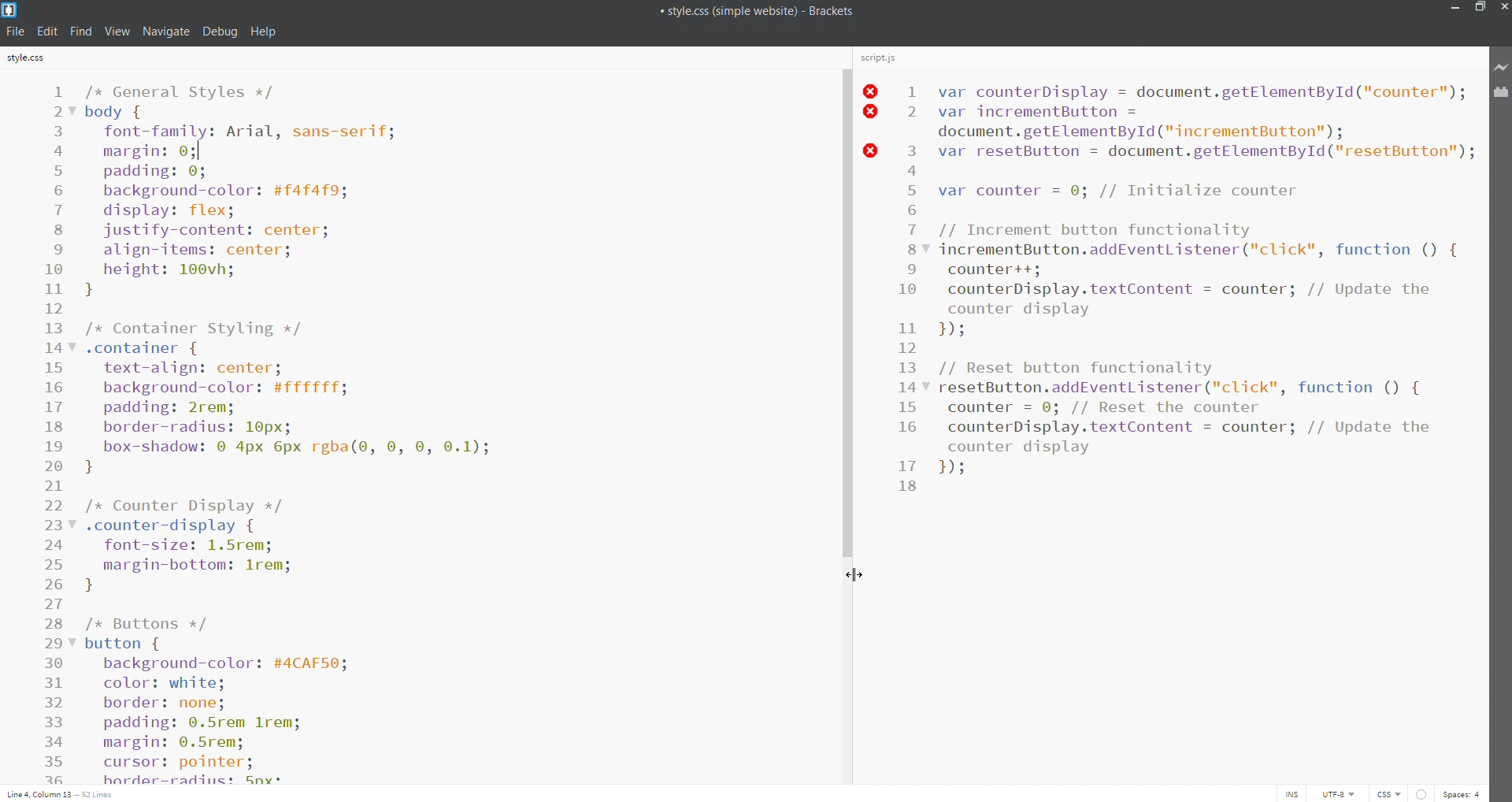  Describe the element at coordinates (848, 425) in the screenshot. I see `scroll bar` at that location.